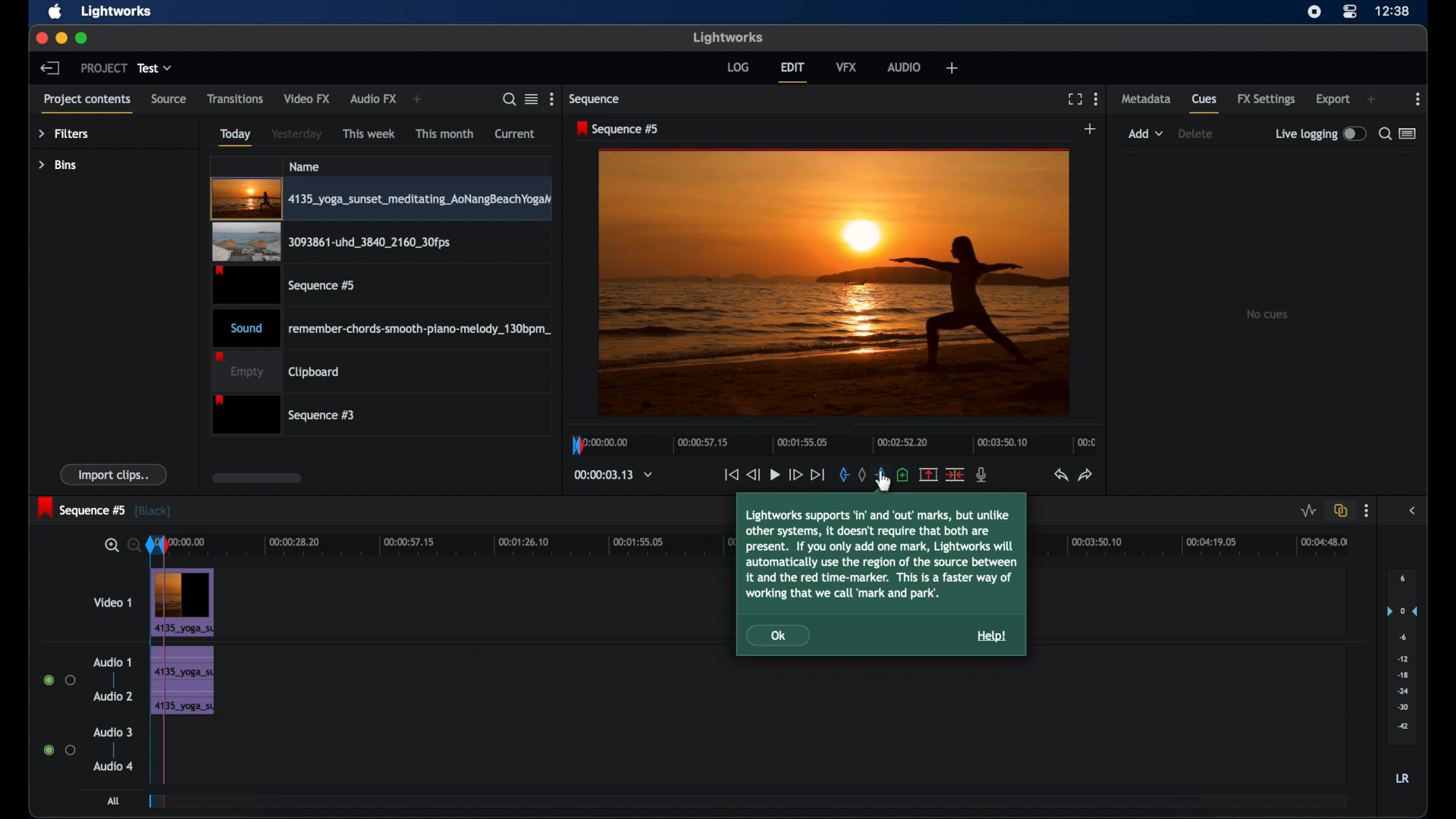 The image size is (1456, 819). I want to click on audio 1, so click(111, 663).